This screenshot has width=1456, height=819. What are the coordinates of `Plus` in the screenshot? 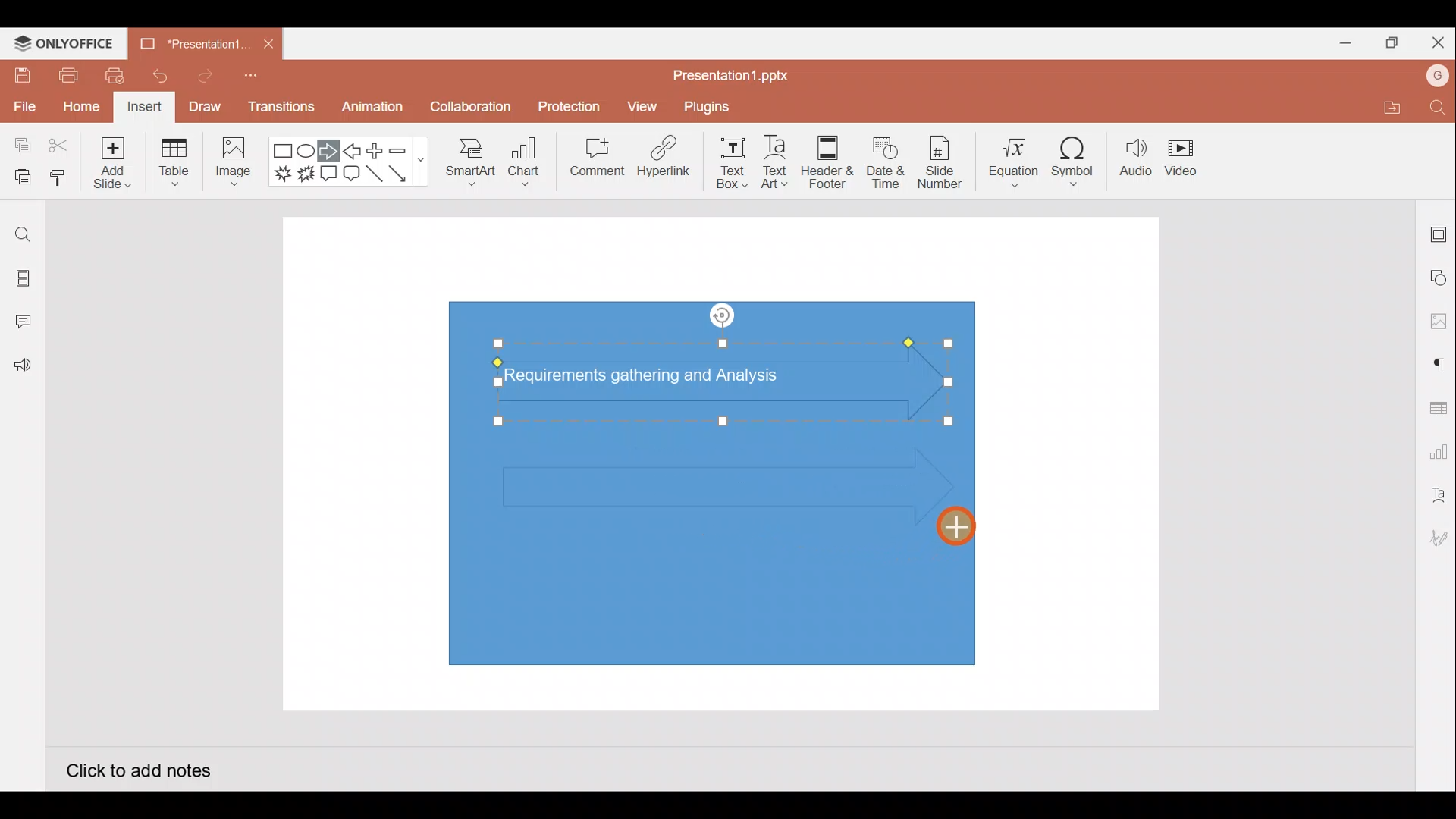 It's located at (378, 151).